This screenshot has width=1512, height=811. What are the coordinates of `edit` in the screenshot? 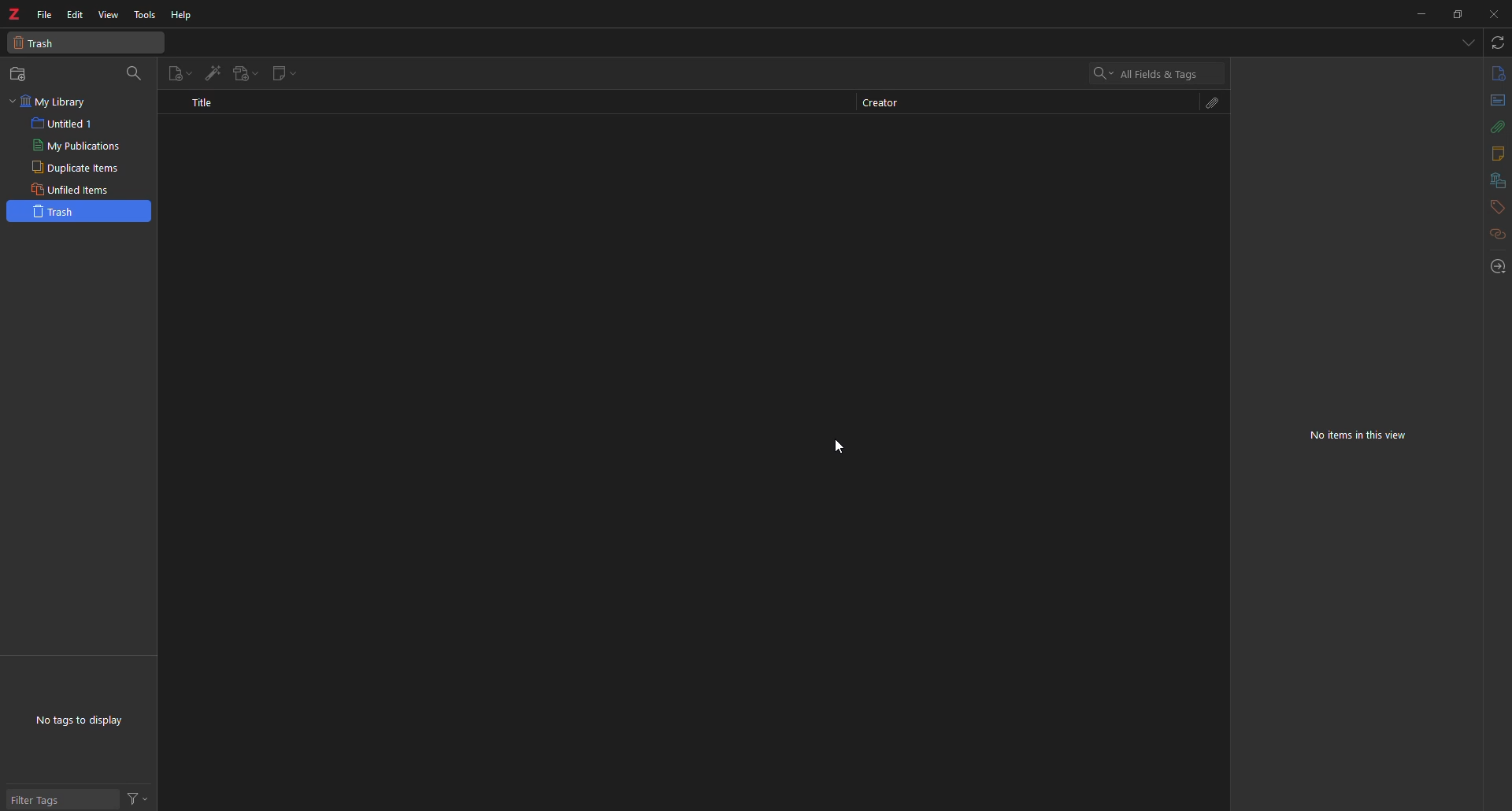 It's located at (76, 14).